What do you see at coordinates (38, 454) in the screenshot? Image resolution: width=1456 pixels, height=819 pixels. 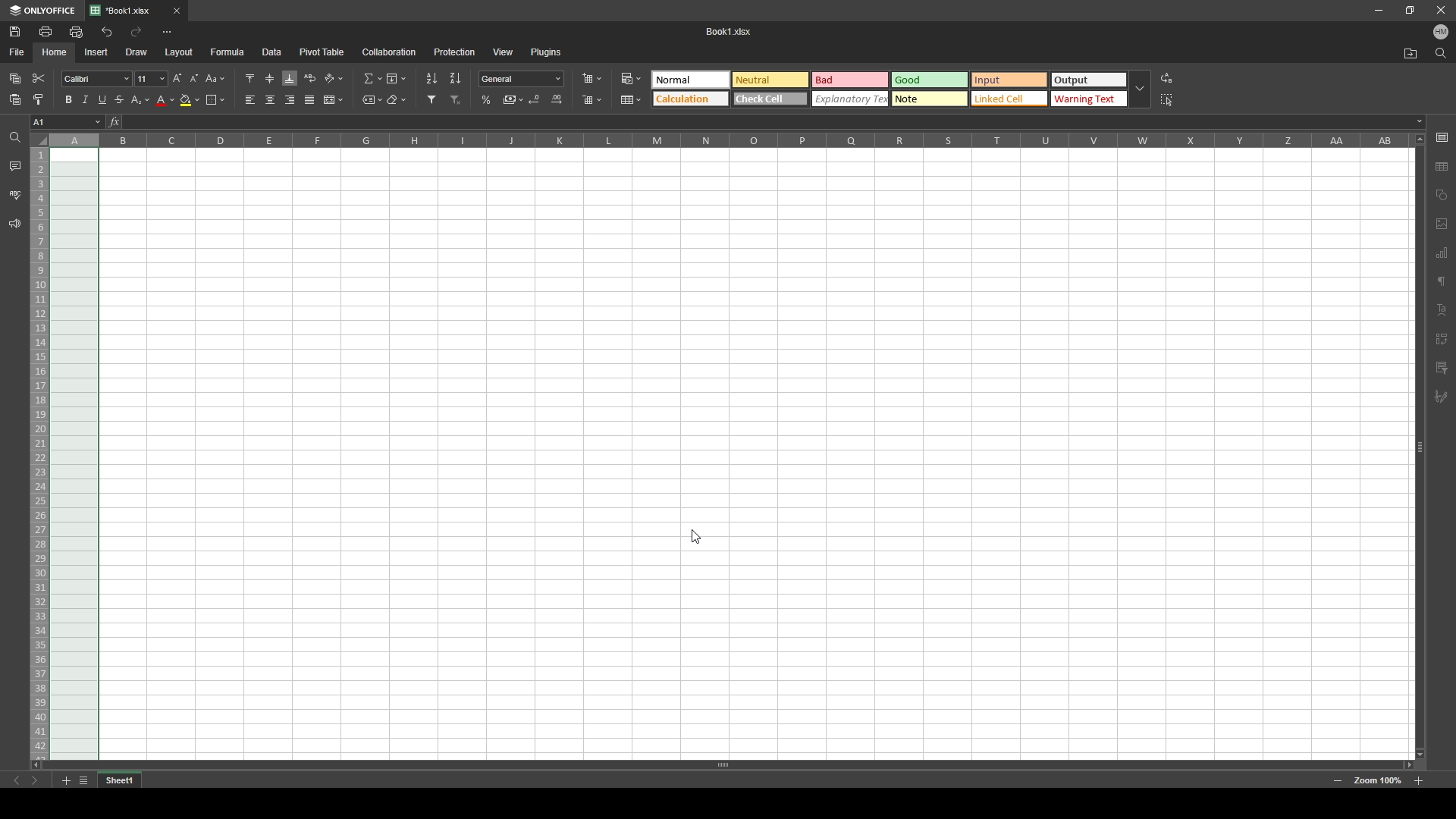 I see `selected rows` at bounding box center [38, 454].